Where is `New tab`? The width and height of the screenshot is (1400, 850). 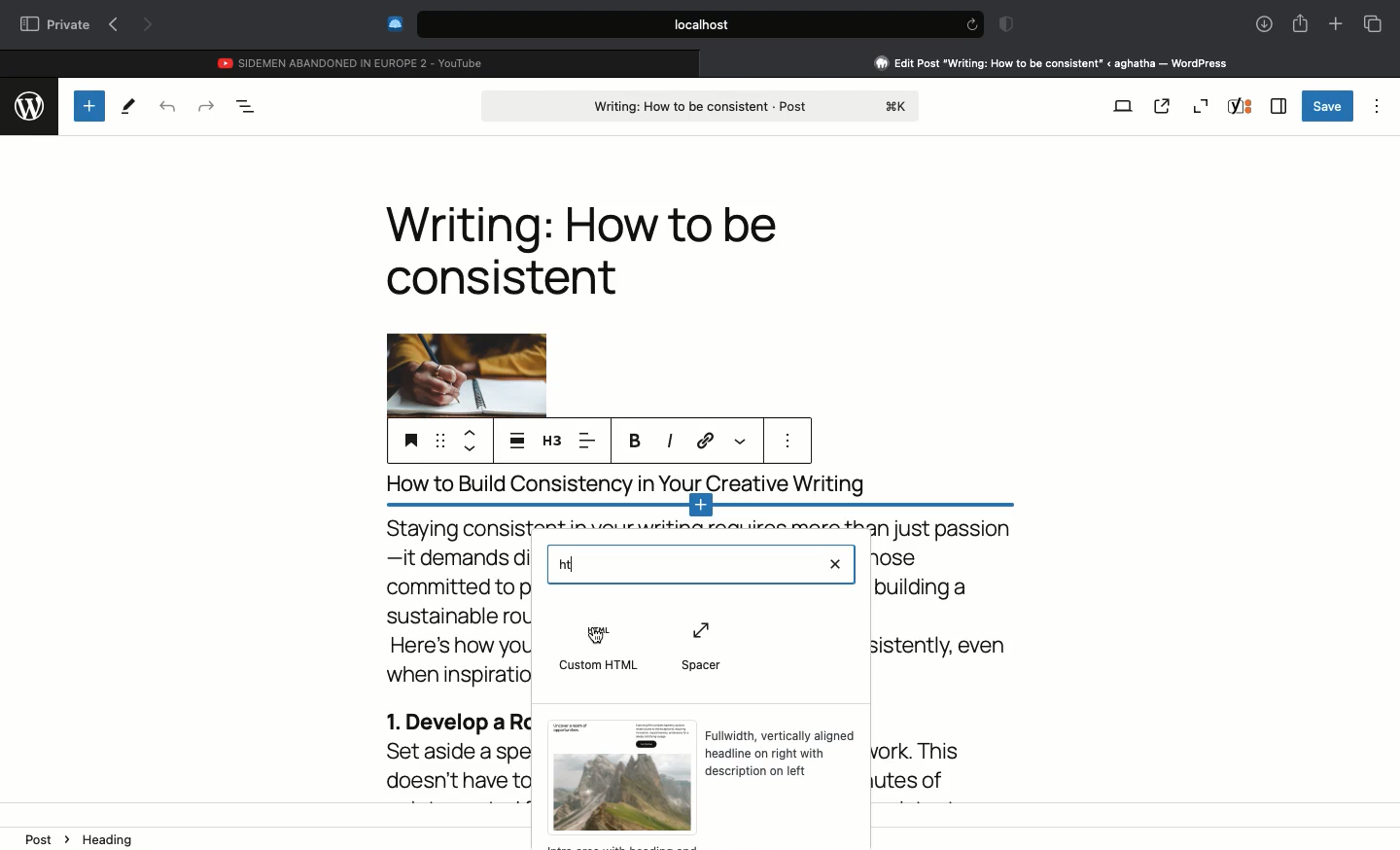
New tab is located at coordinates (1336, 24).